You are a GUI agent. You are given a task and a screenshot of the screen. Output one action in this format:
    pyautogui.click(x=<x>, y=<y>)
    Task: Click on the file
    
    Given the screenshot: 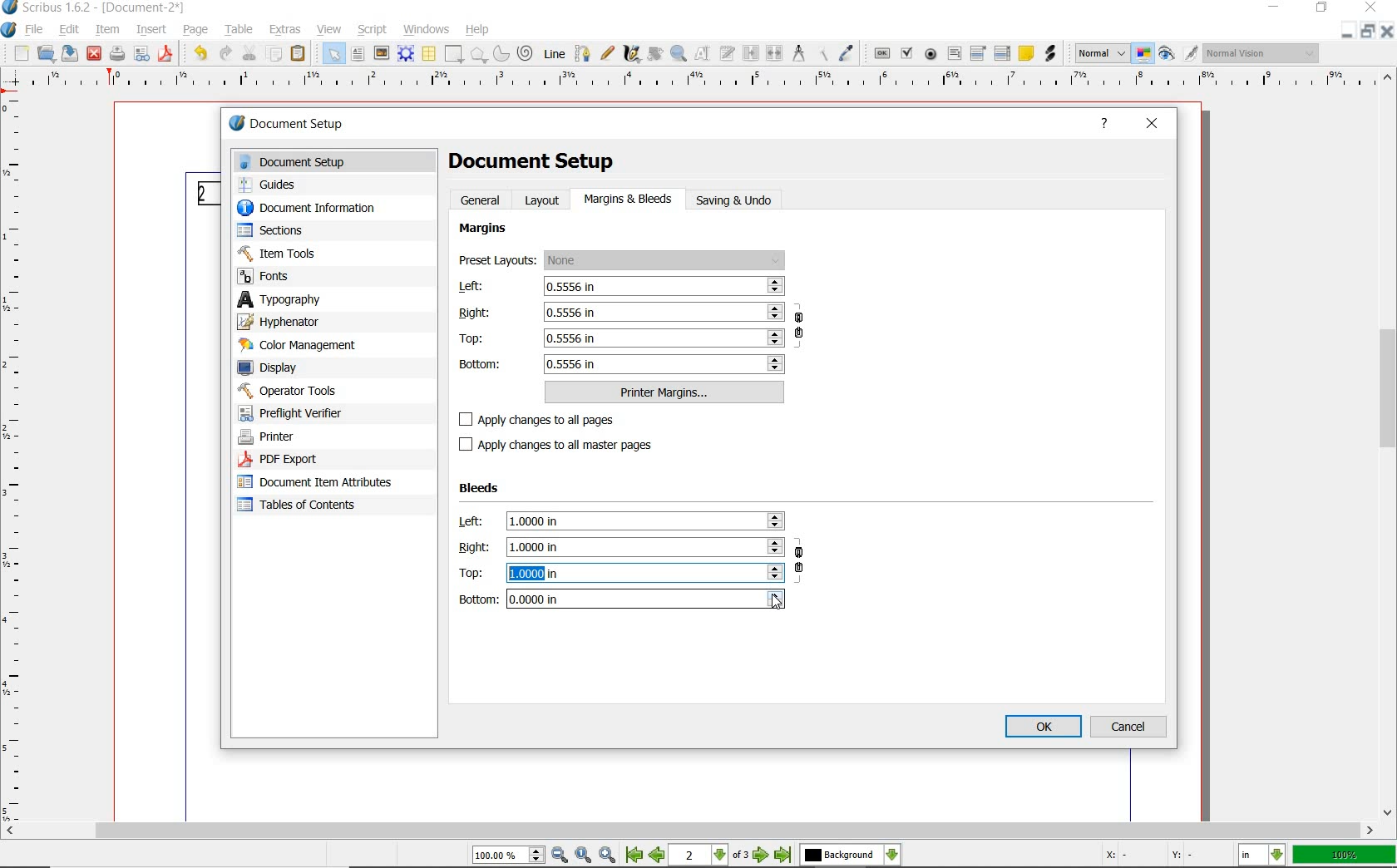 What is the action you would take?
    pyautogui.click(x=36, y=31)
    